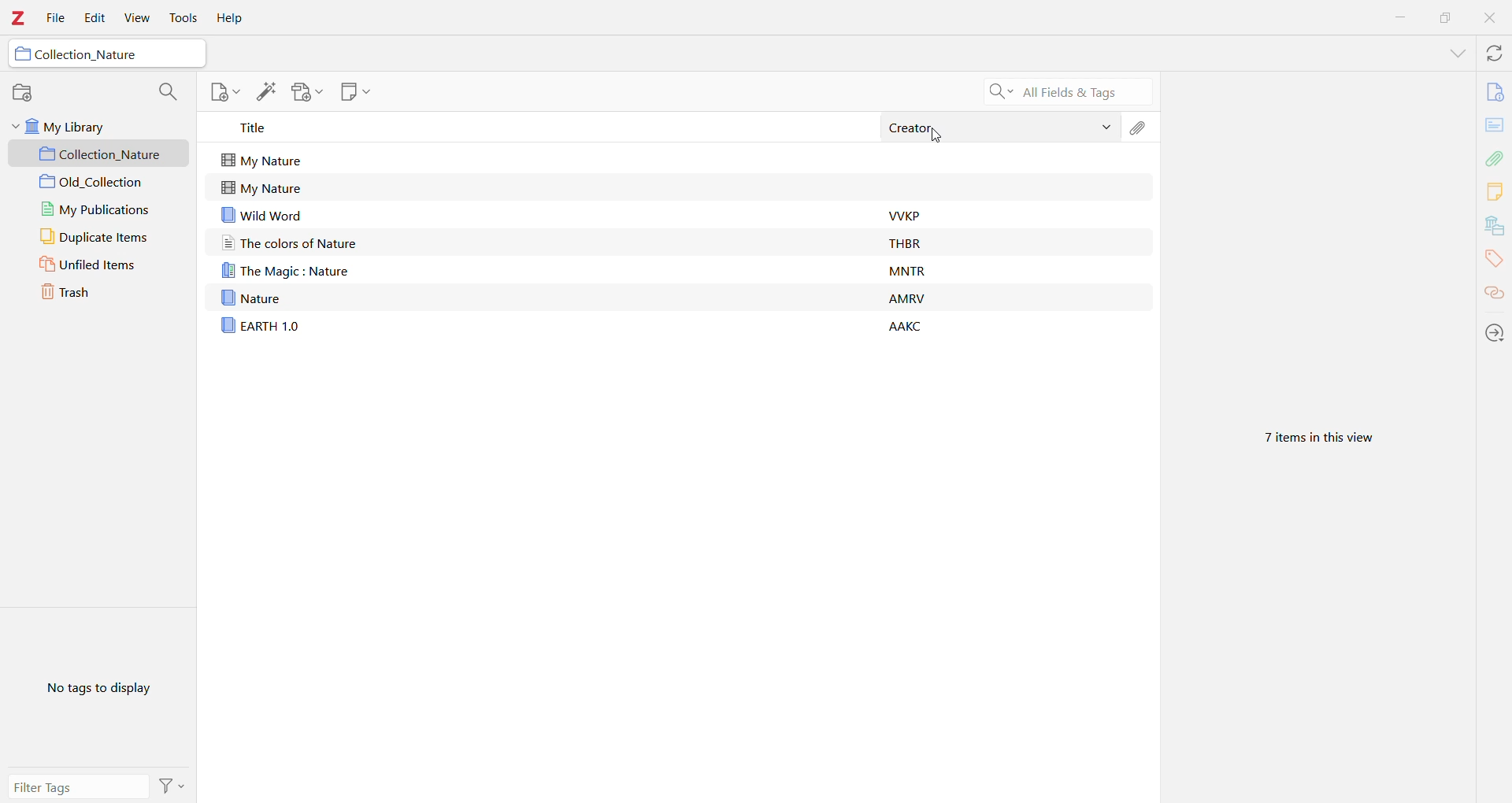  Describe the element at coordinates (78, 786) in the screenshot. I see `Filter tags` at that location.